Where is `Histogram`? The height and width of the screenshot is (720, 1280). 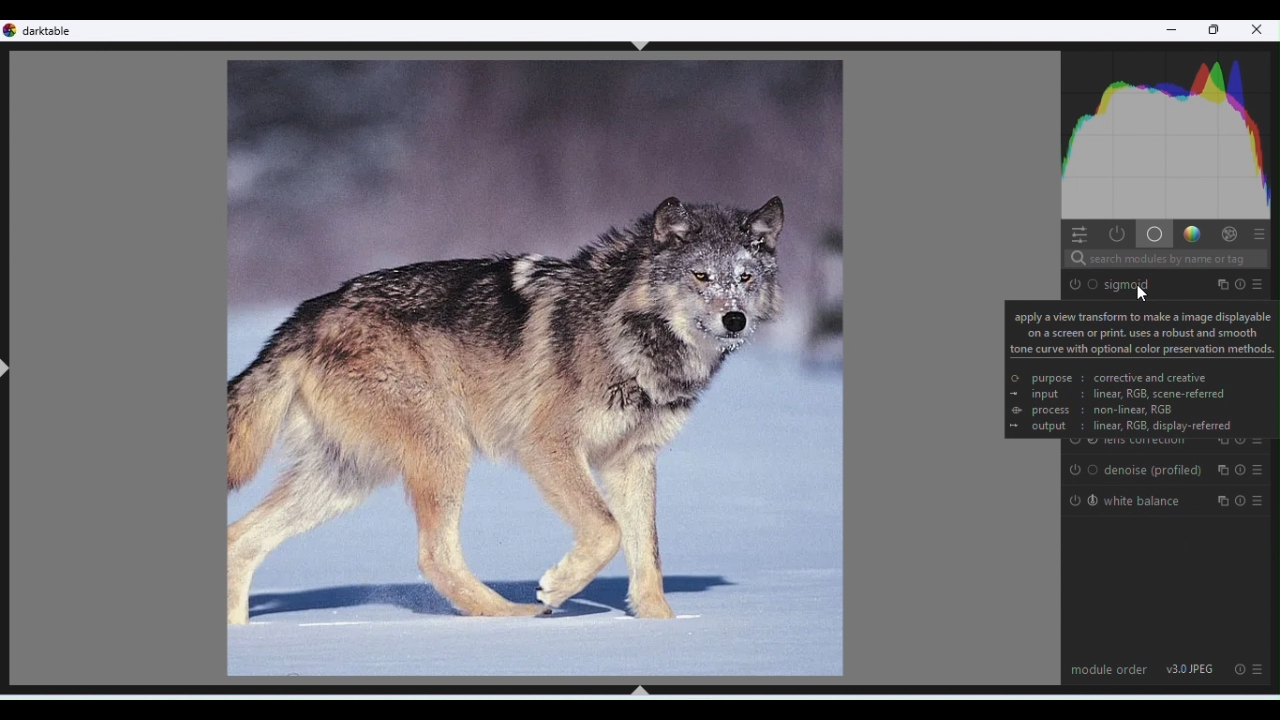 Histogram is located at coordinates (1169, 131).